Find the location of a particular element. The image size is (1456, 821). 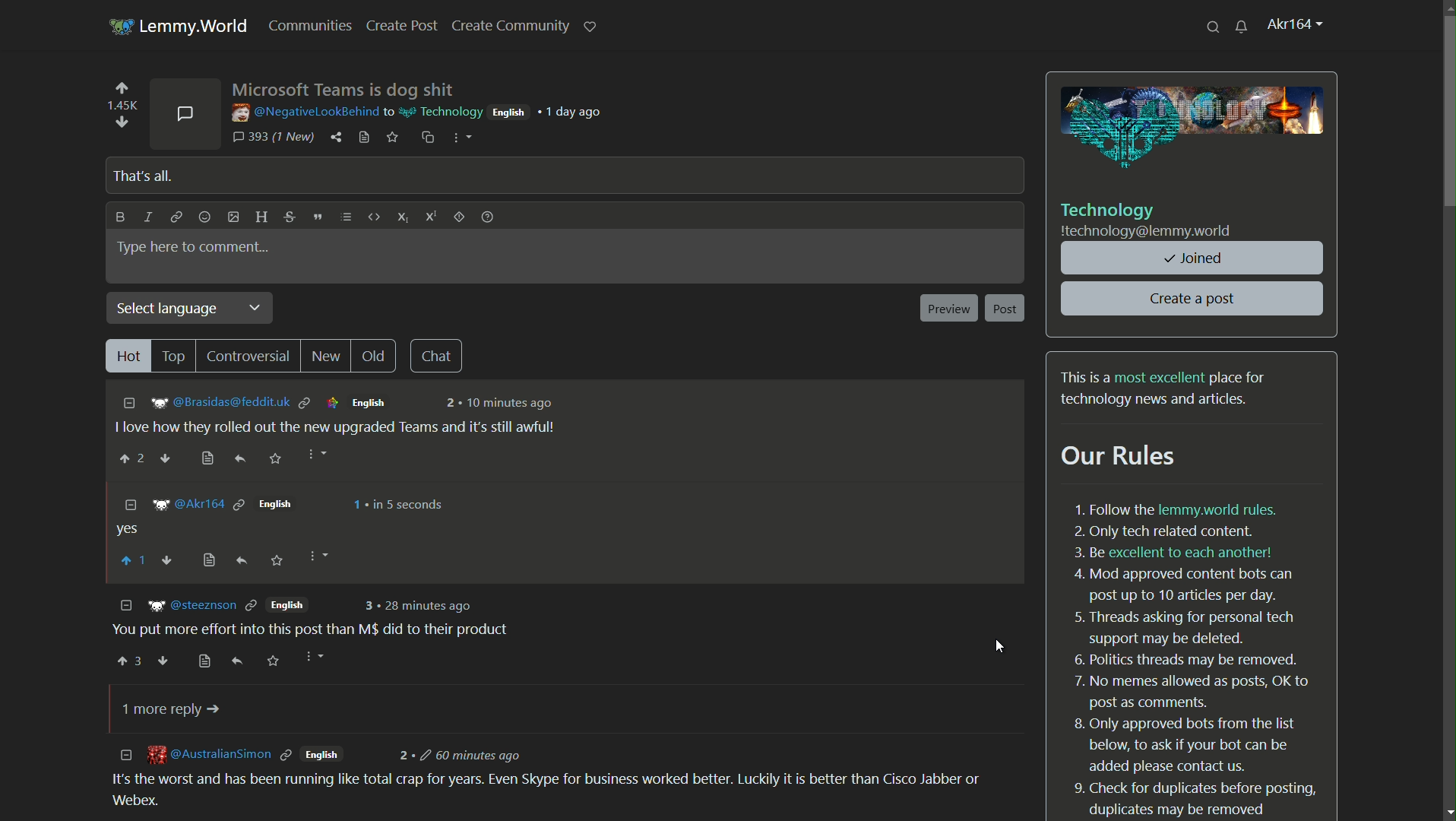

save is located at coordinates (275, 561).